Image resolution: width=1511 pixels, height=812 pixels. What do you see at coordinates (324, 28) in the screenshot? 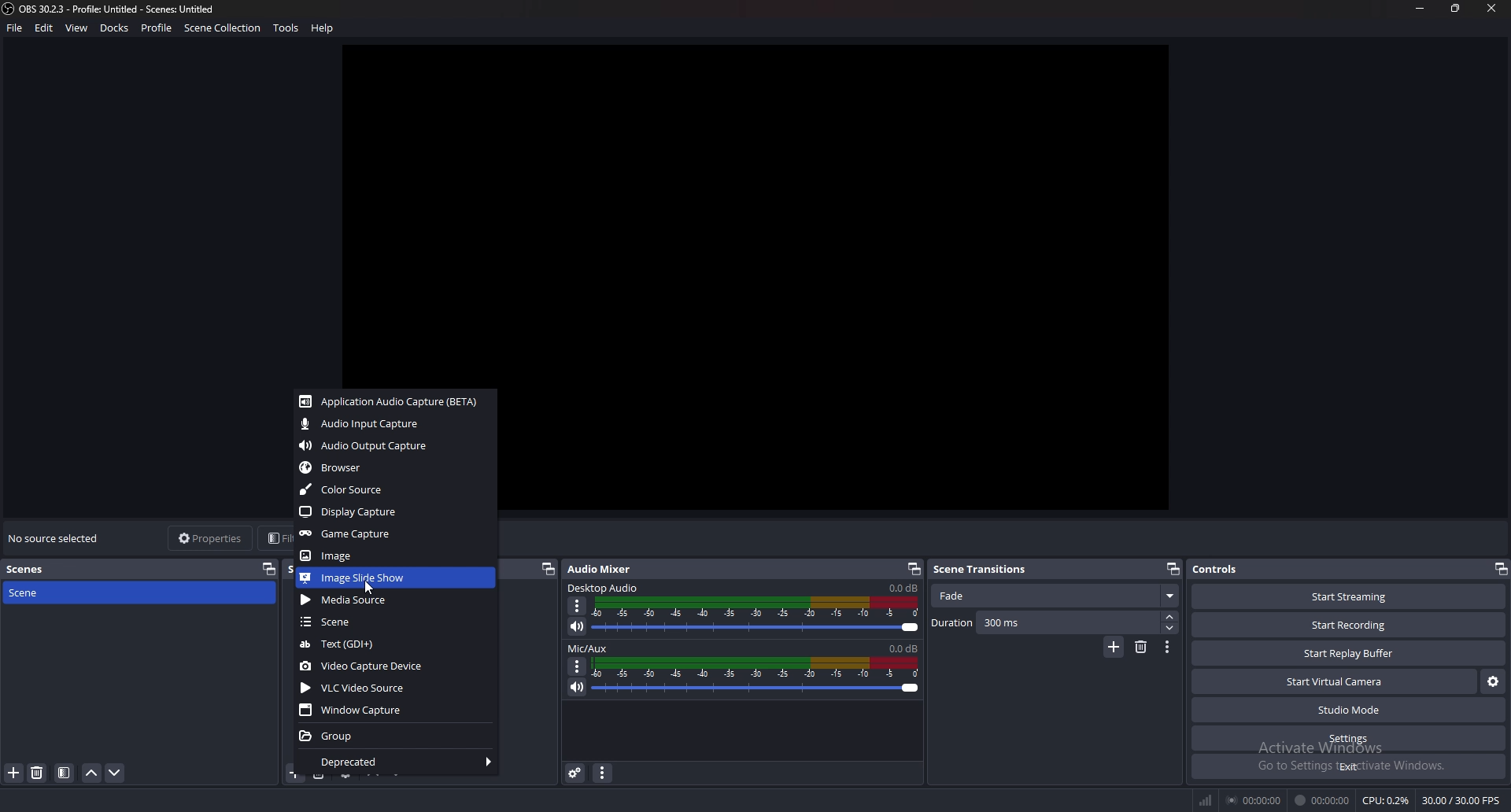
I see `help` at bounding box center [324, 28].